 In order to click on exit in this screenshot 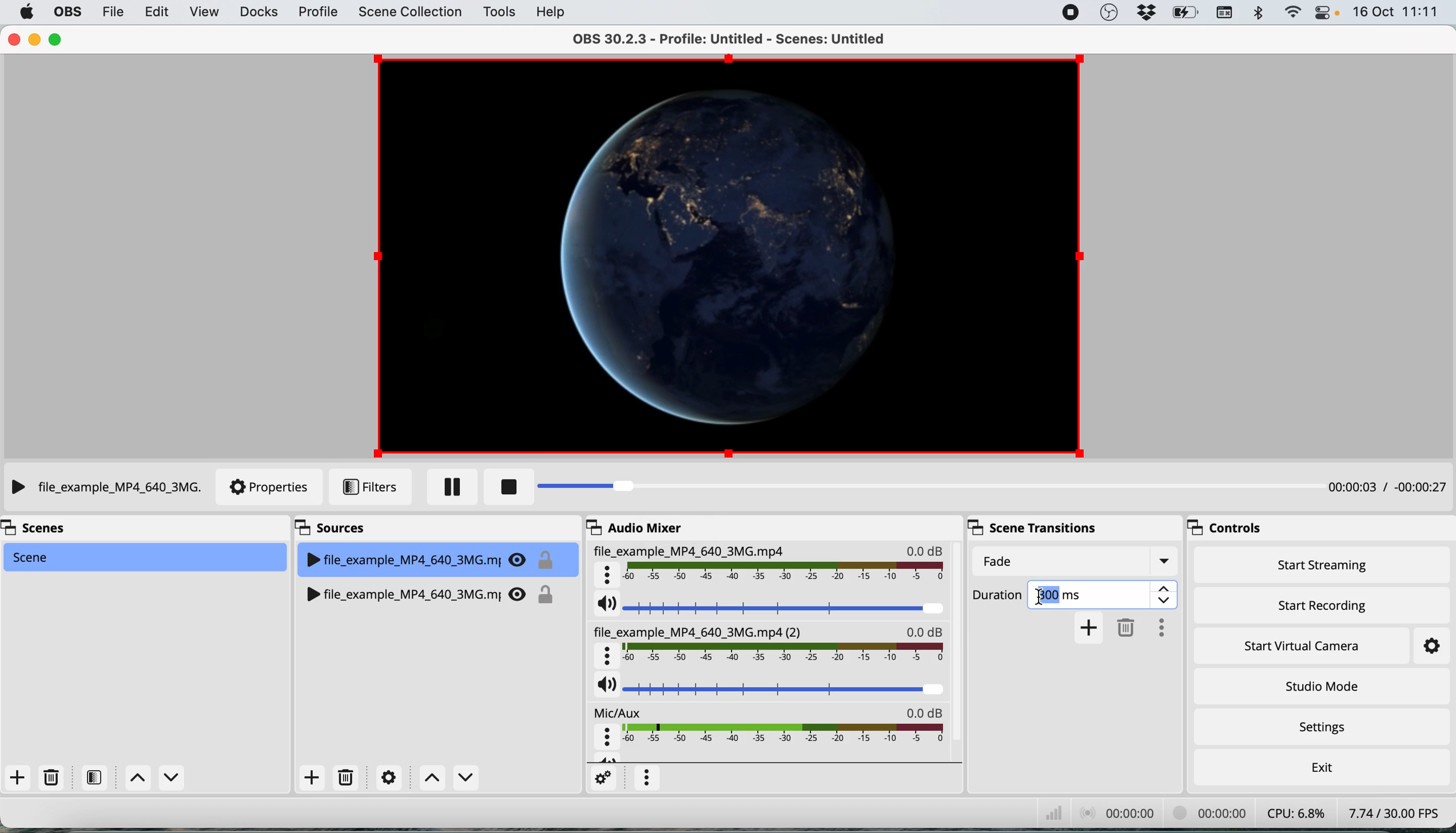, I will do `click(1320, 768)`.